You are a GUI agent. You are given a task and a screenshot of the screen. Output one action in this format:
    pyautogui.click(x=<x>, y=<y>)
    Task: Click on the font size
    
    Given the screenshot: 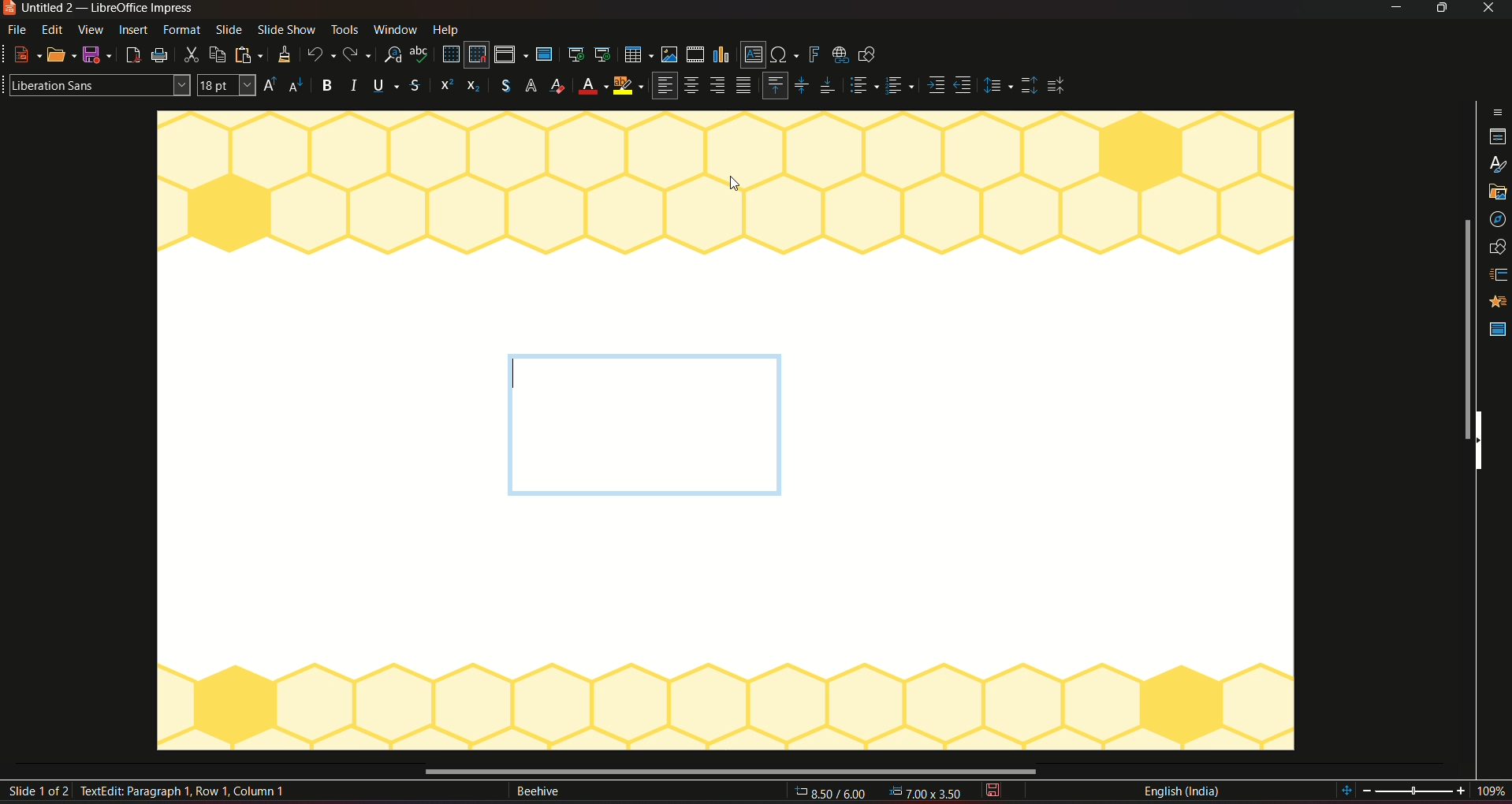 What is the action you would take?
    pyautogui.click(x=229, y=86)
    